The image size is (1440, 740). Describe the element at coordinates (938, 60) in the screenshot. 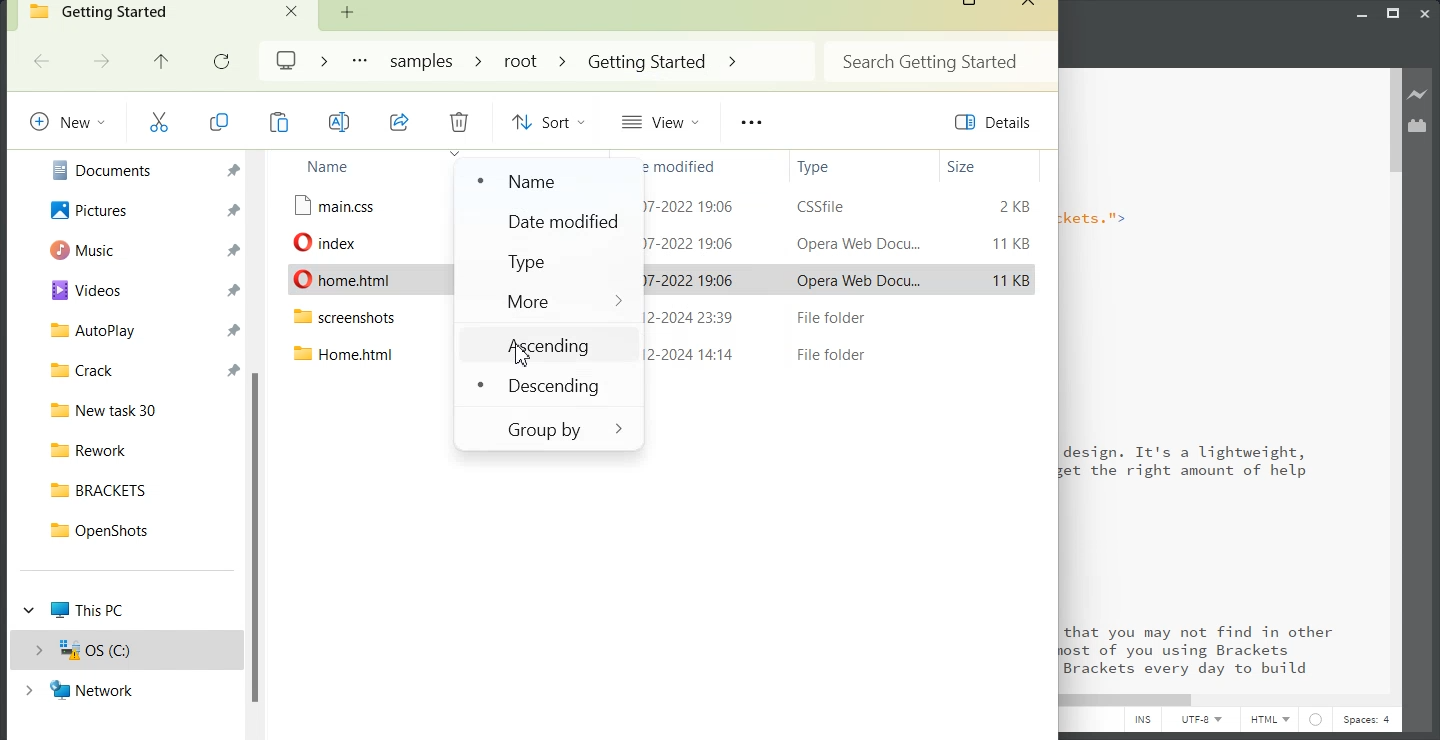

I see `Search Bar` at that location.